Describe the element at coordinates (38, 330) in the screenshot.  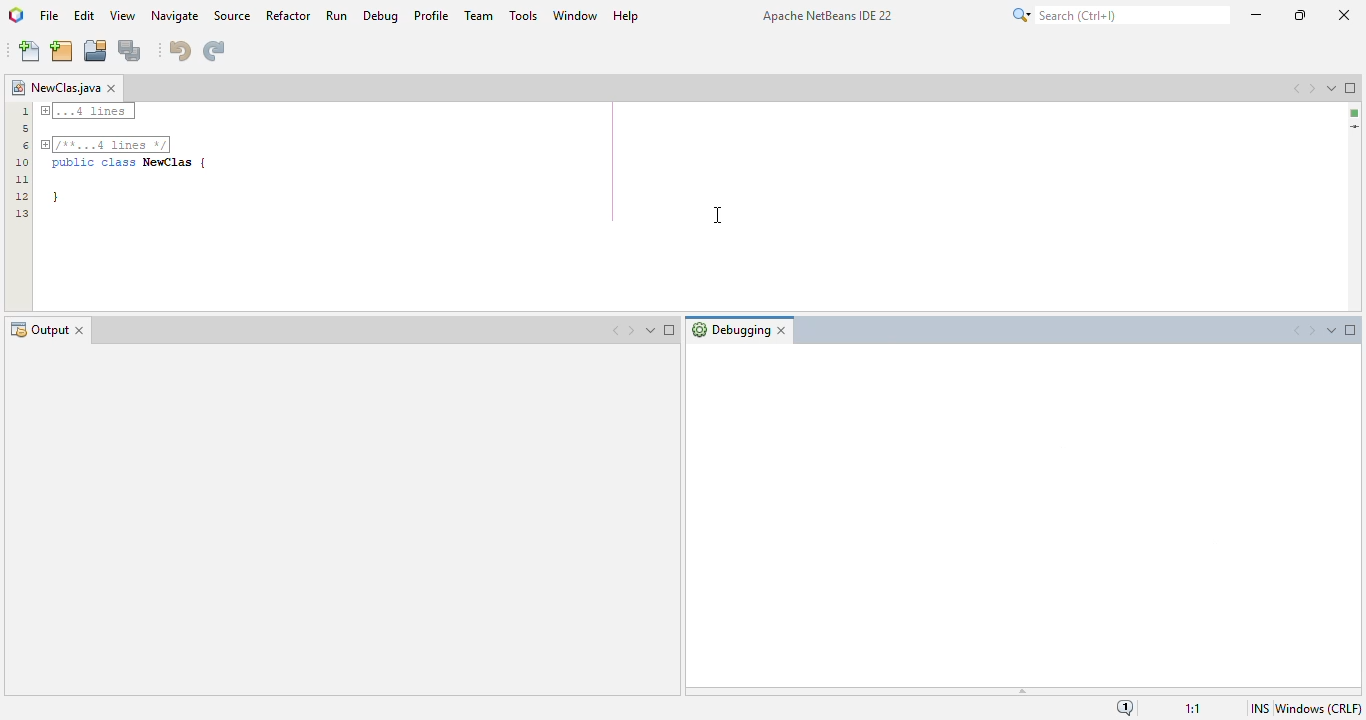
I see `Output` at that location.